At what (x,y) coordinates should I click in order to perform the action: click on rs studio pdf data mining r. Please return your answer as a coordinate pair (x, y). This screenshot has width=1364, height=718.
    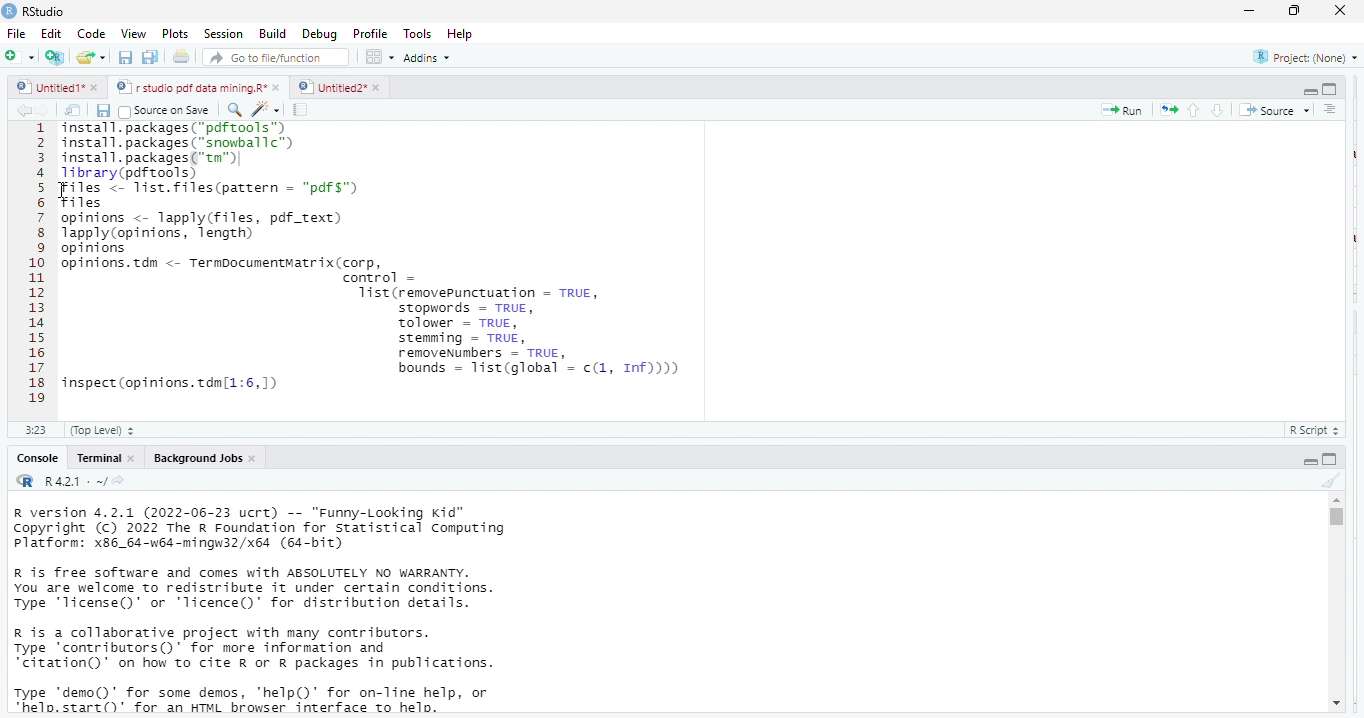
    Looking at the image, I should click on (190, 88).